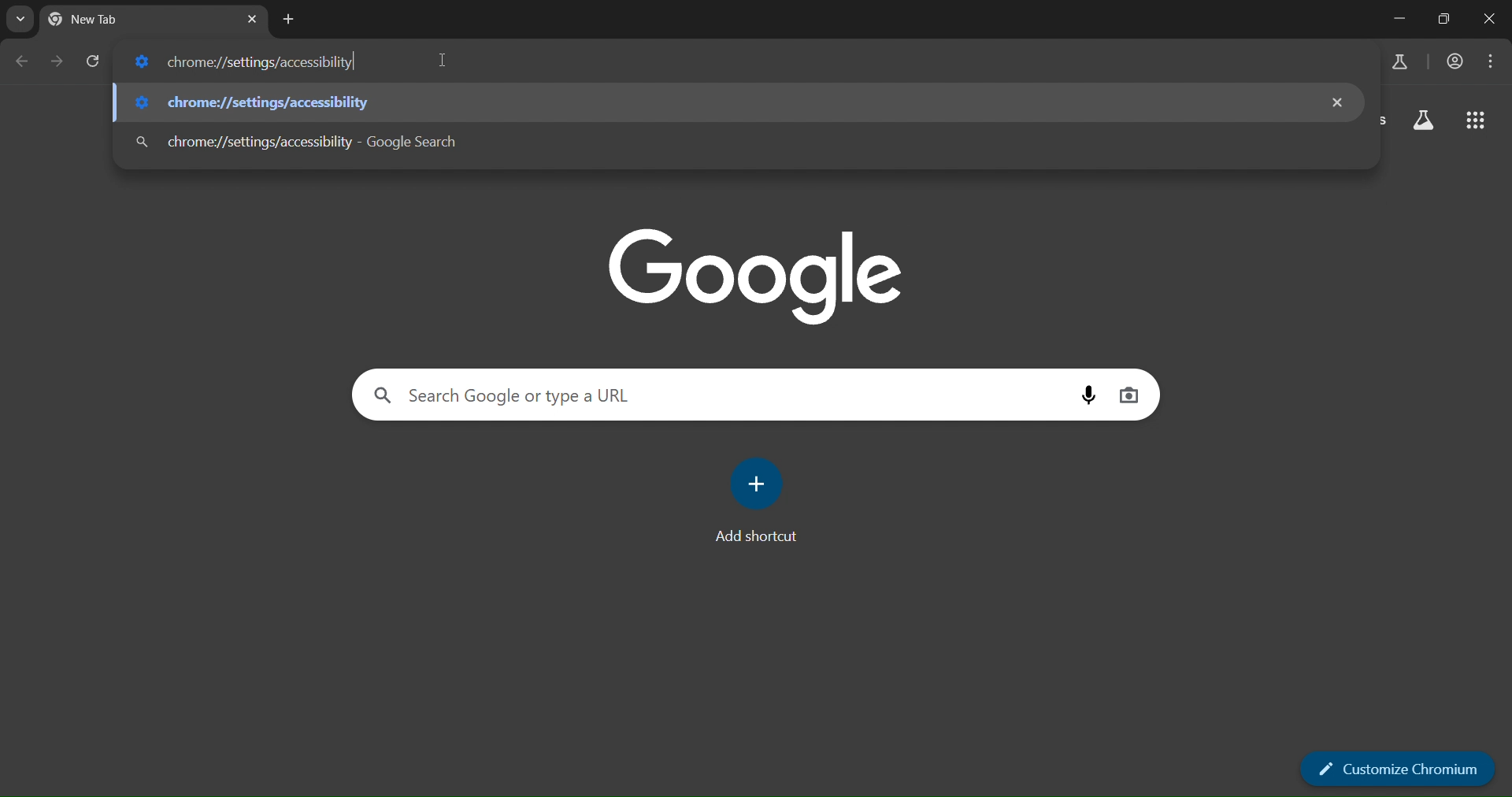 Image resolution: width=1512 pixels, height=797 pixels. Describe the element at coordinates (441, 59) in the screenshot. I see `cursor` at that location.